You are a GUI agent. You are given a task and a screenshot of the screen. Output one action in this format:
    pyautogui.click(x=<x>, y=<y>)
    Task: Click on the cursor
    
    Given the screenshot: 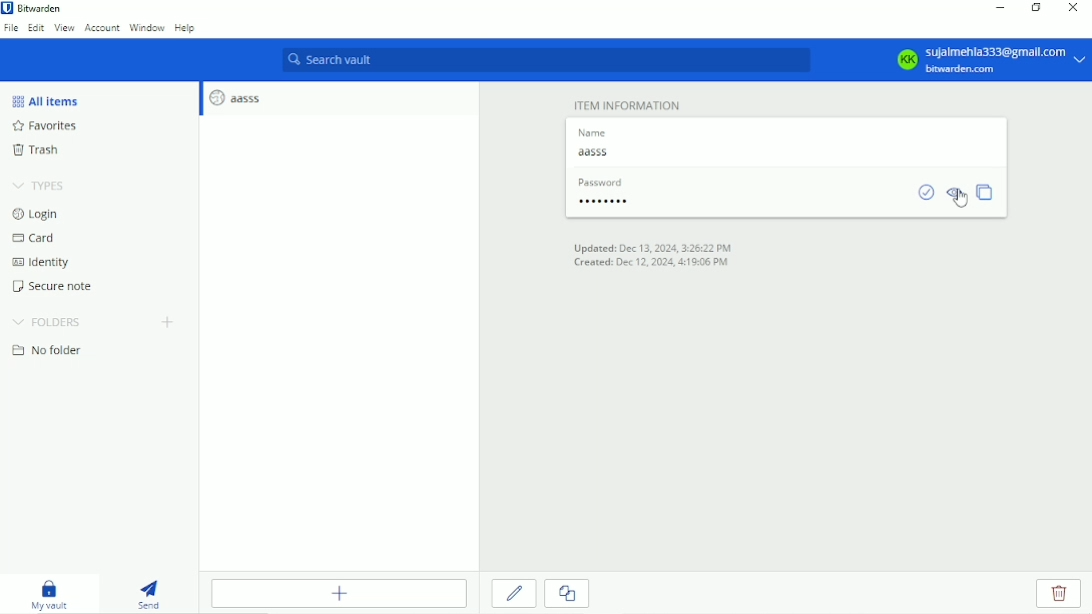 What is the action you would take?
    pyautogui.click(x=961, y=203)
    